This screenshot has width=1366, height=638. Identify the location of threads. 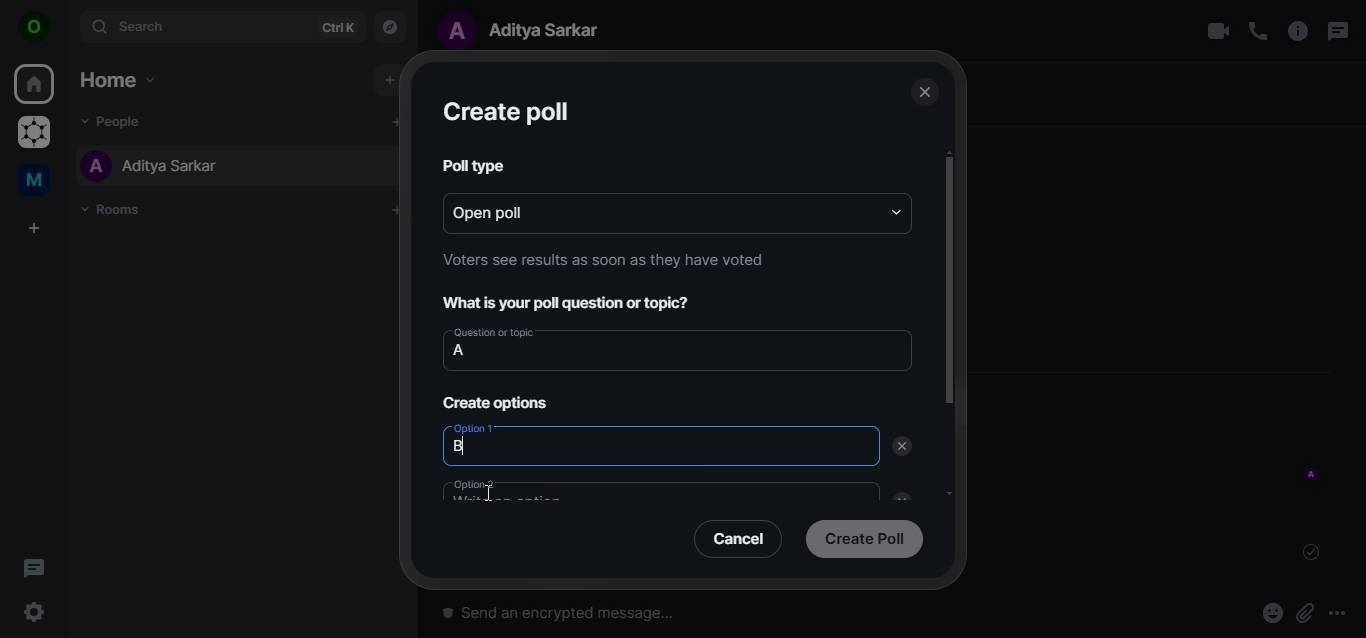
(1336, 31).